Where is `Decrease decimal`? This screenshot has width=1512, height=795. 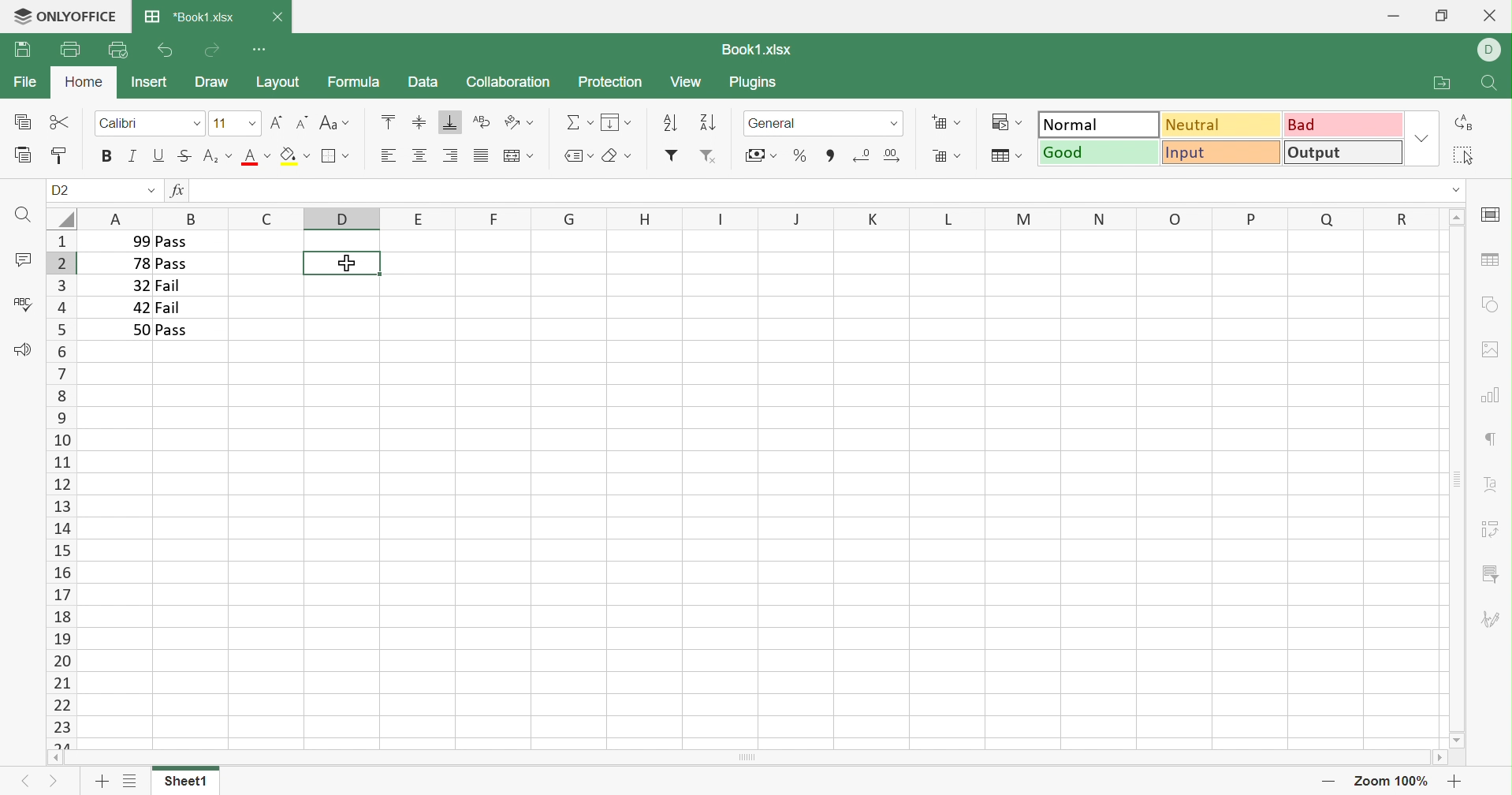 Decrease decimal is located at coordinates (861, 155).